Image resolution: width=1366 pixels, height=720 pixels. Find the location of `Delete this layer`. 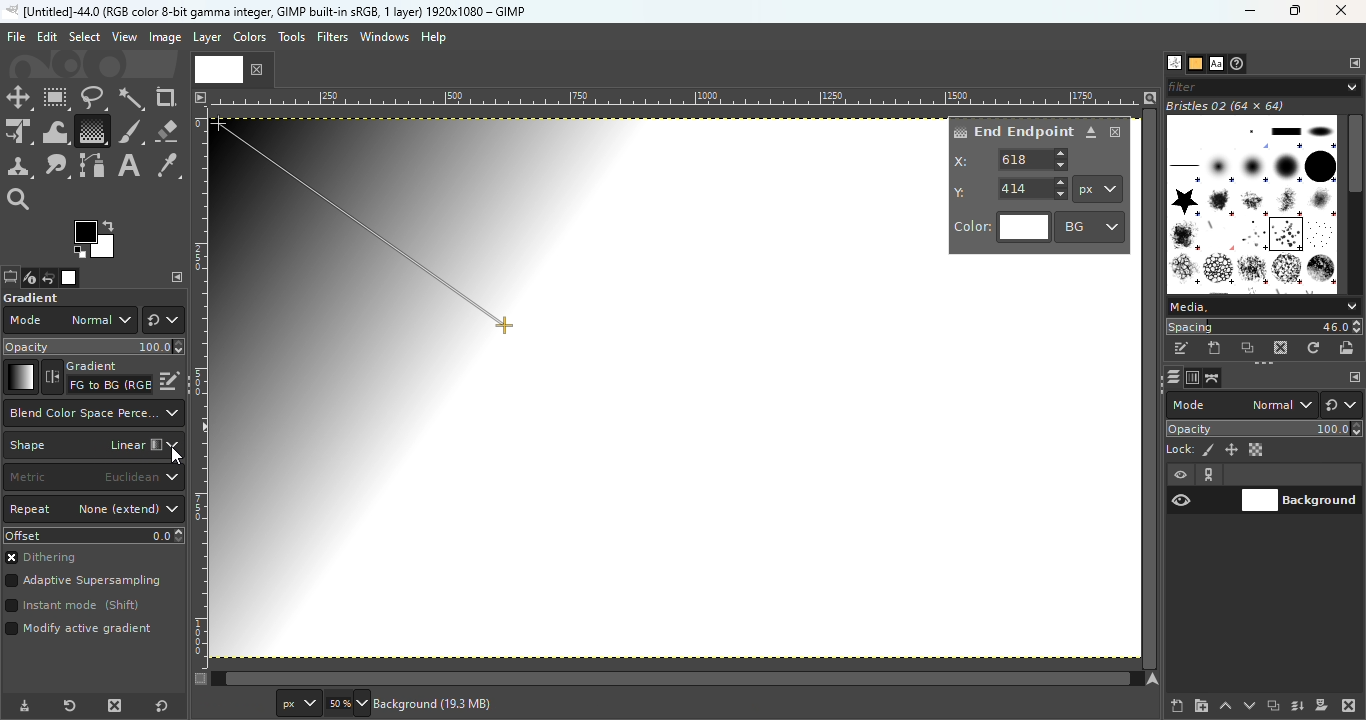

Delete this layer is located at coordinates (1350, 706).